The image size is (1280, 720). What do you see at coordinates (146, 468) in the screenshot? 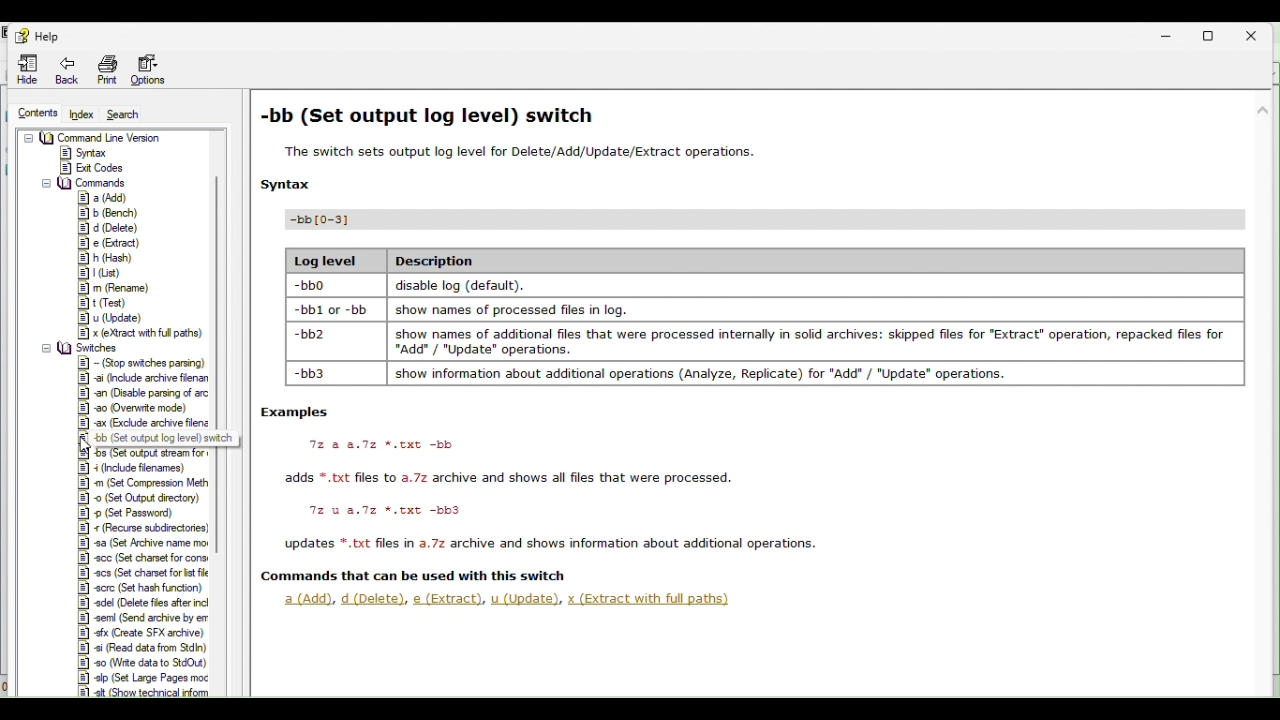
I see `8] 4 (Include filenames) |` at bounding box center [146, 468].